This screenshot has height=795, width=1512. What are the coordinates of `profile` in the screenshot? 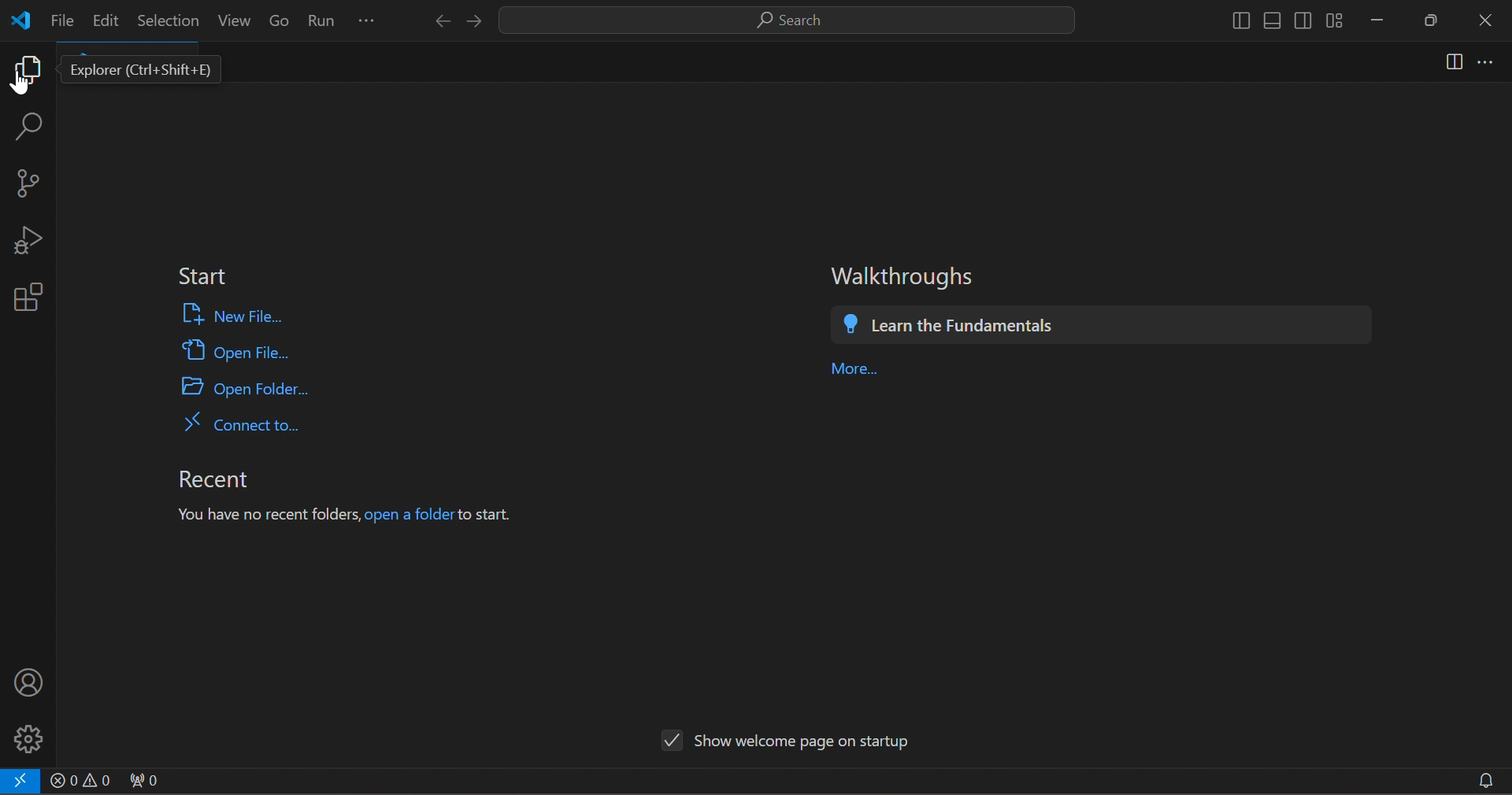 It's located at (33, 684).